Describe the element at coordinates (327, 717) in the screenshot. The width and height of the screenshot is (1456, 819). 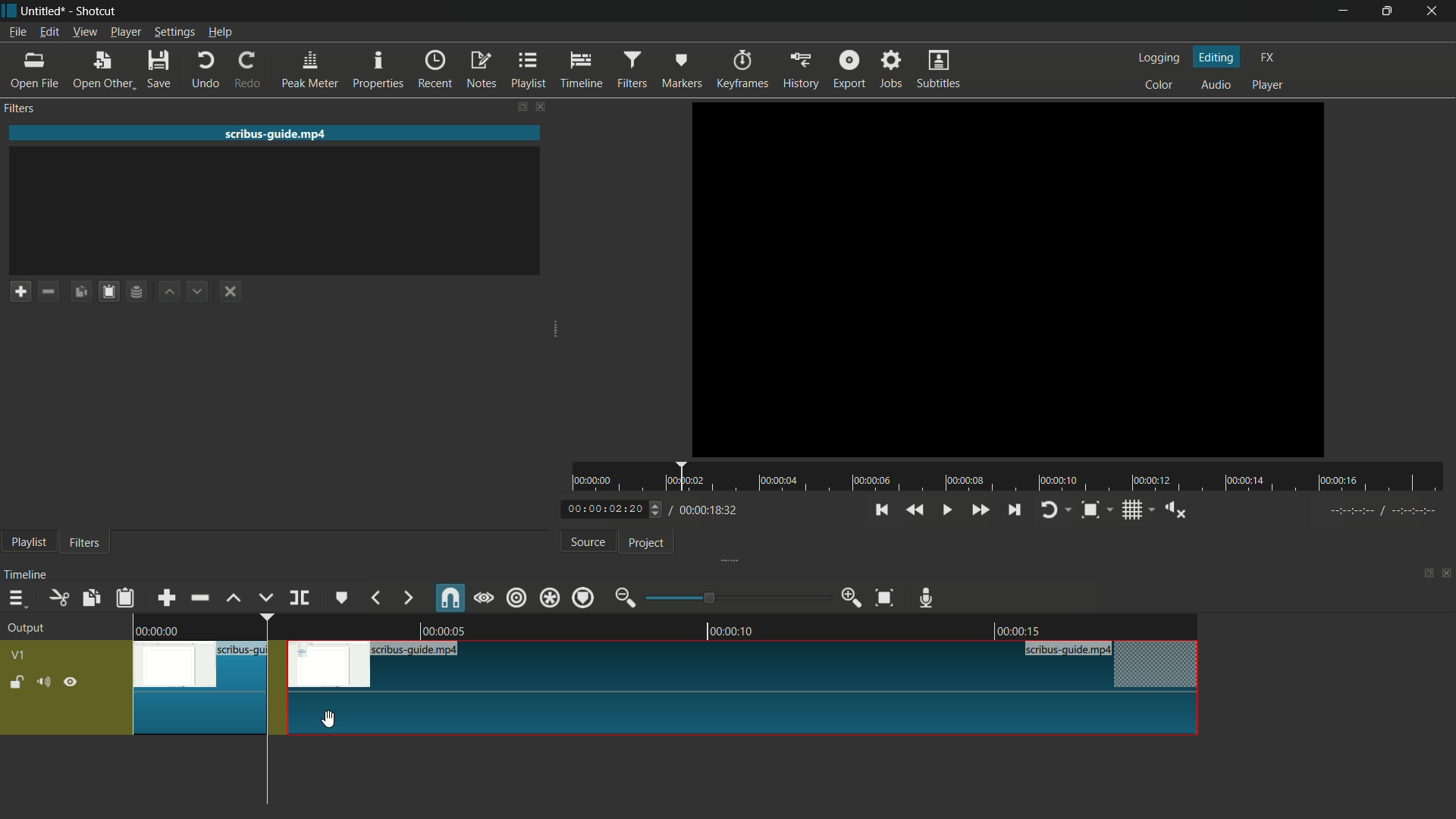
I see `cursor` at that location.